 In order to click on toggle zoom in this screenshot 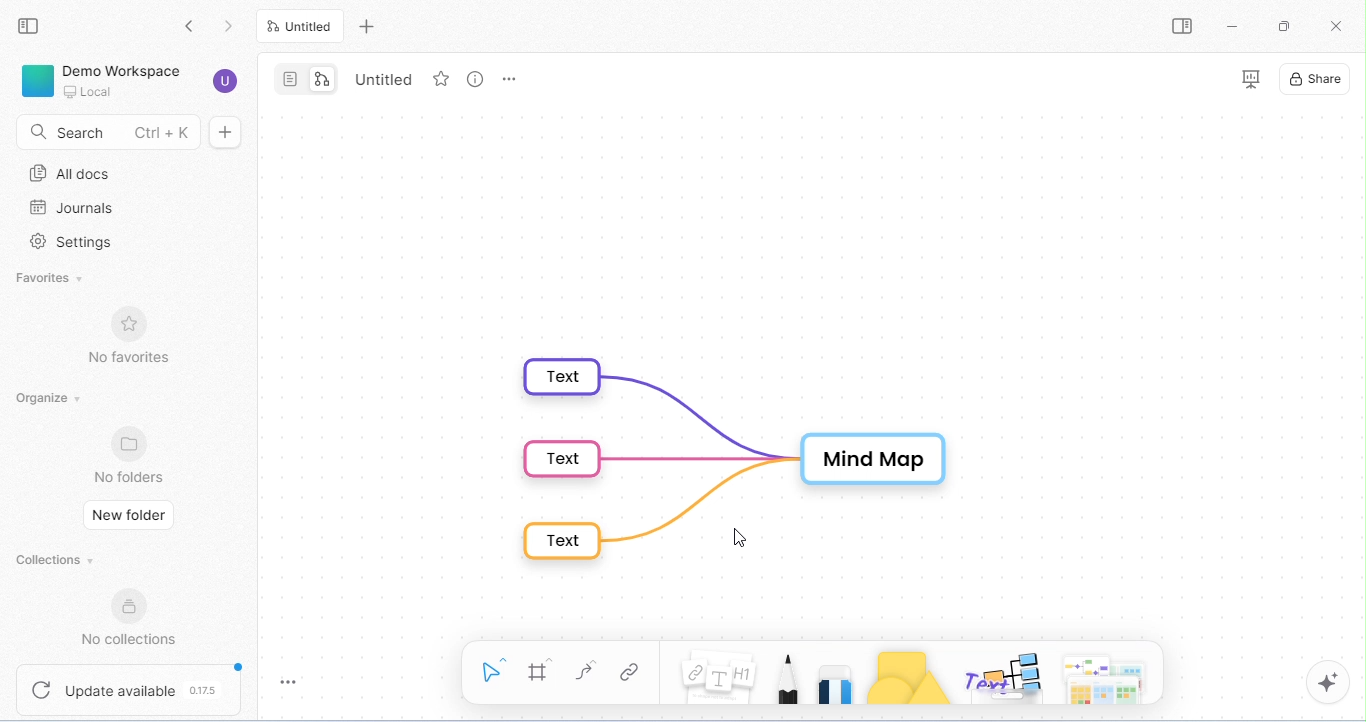, I will do `click(288, 685)`.